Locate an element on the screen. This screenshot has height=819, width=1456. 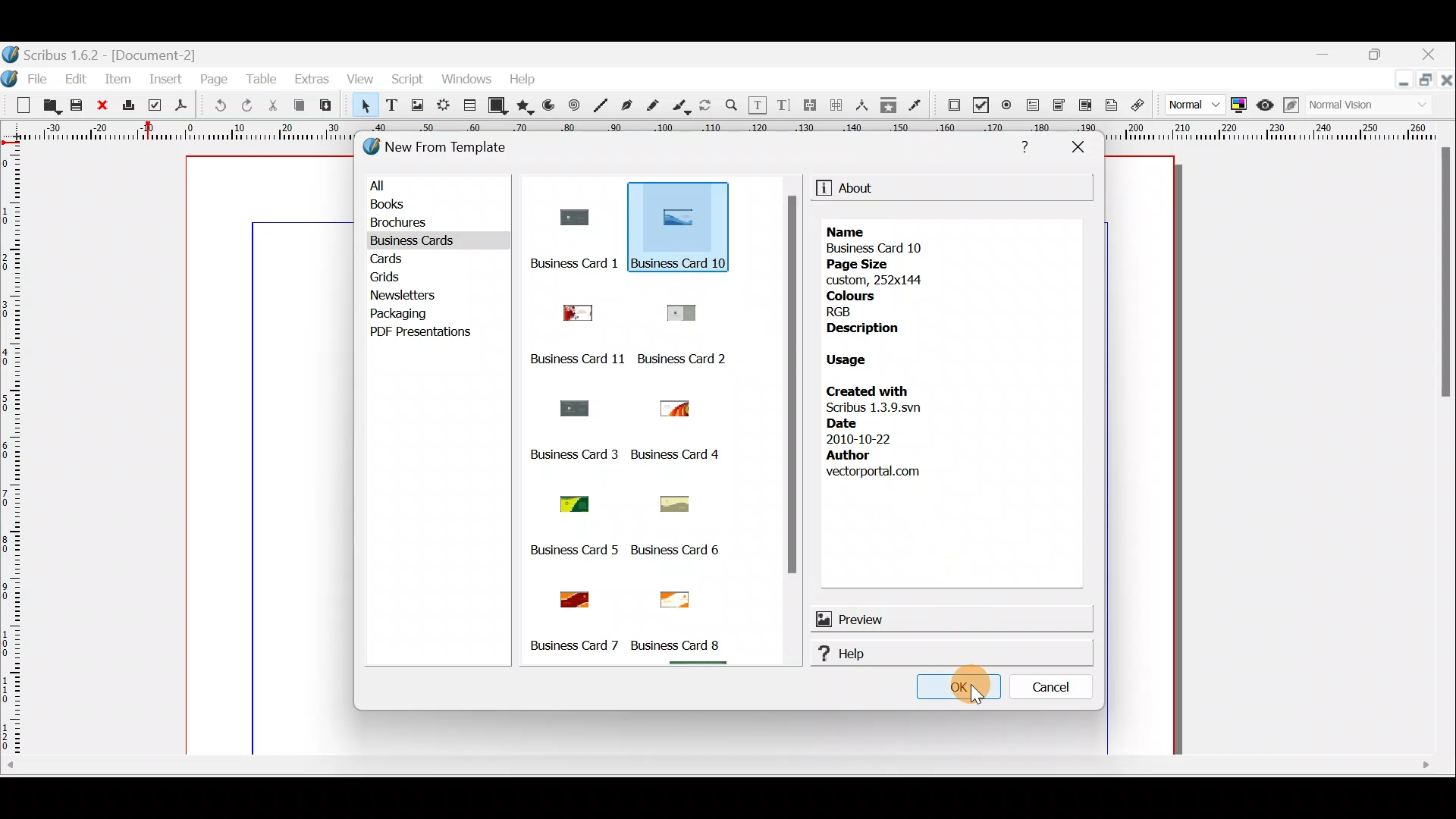
Business card image is located at coordinates (681, 311).